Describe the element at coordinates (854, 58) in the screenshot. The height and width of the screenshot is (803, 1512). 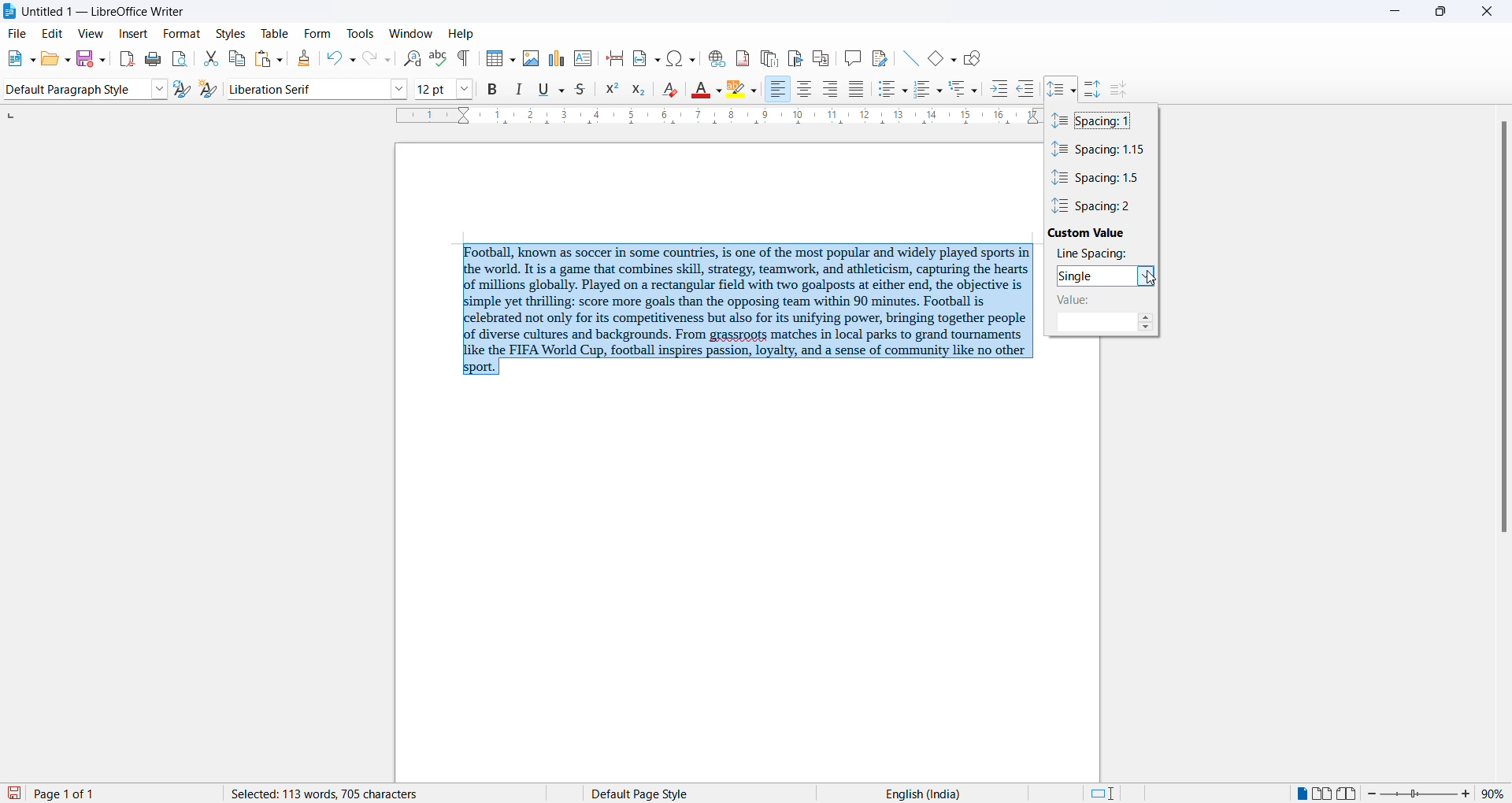
I see `insert comments` at that location.